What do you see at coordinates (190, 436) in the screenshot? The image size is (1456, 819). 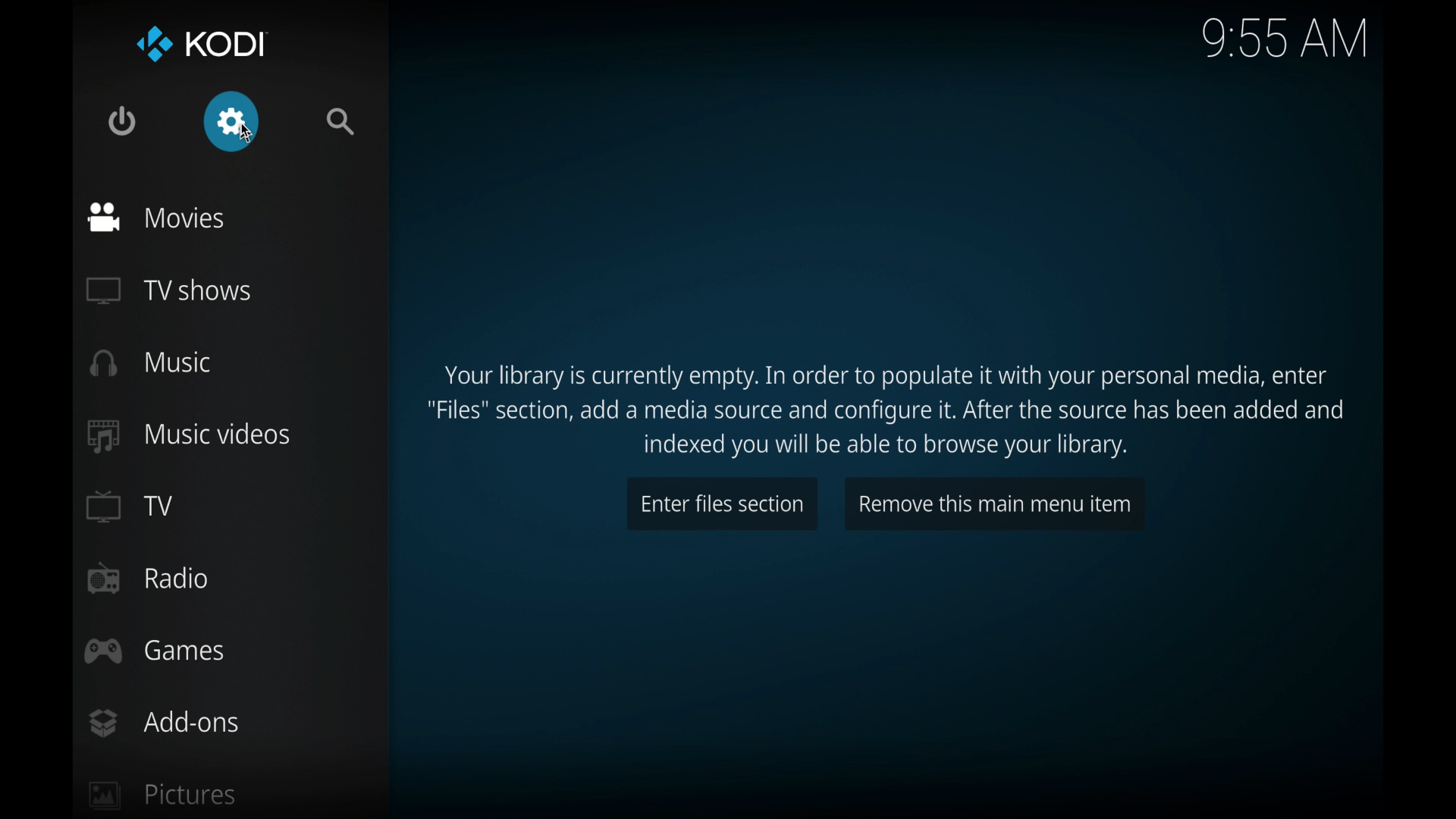 I see `music videos` at bounding box center [190, 436].